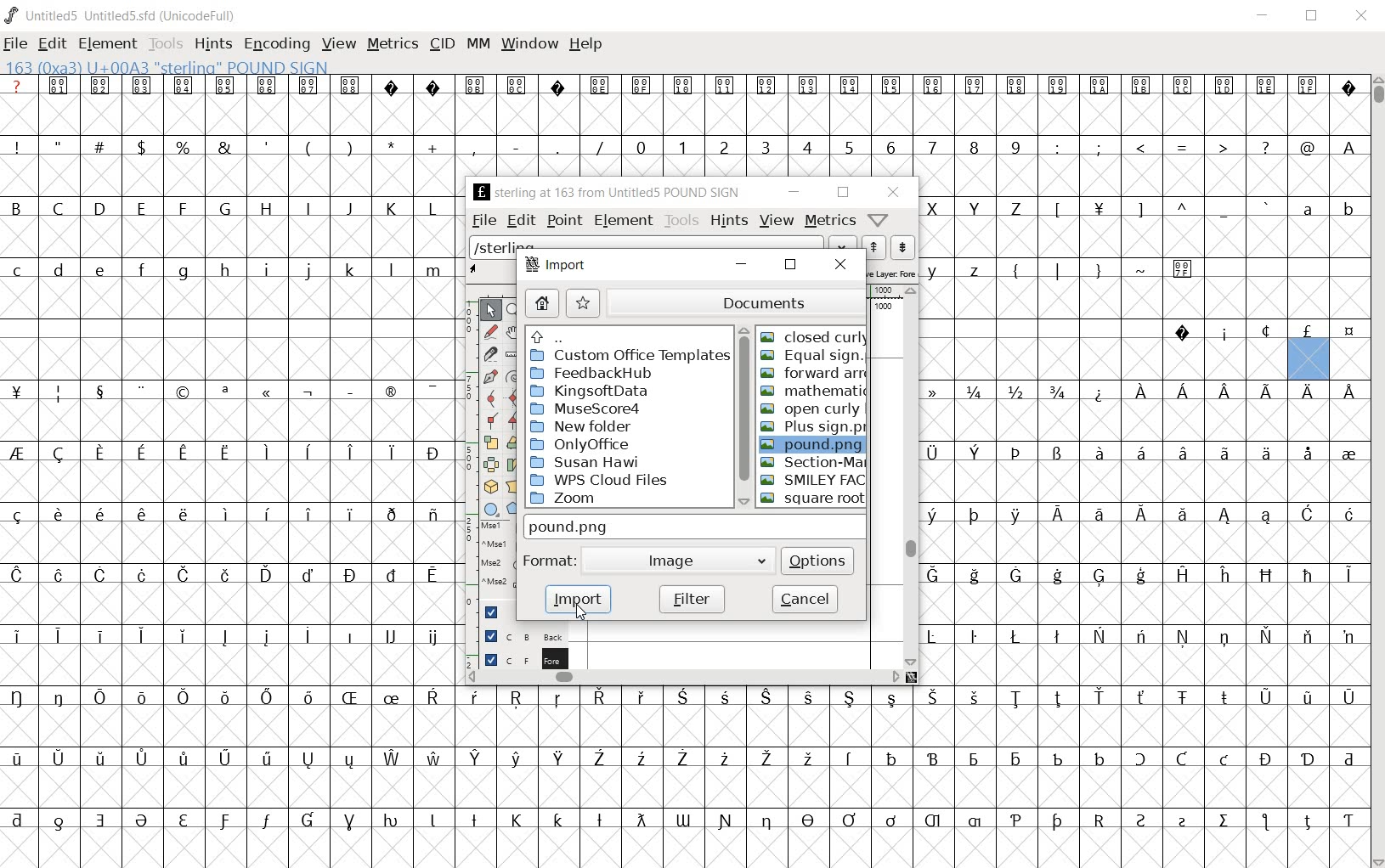  I want to click on Symbol, so click(1058, 699).